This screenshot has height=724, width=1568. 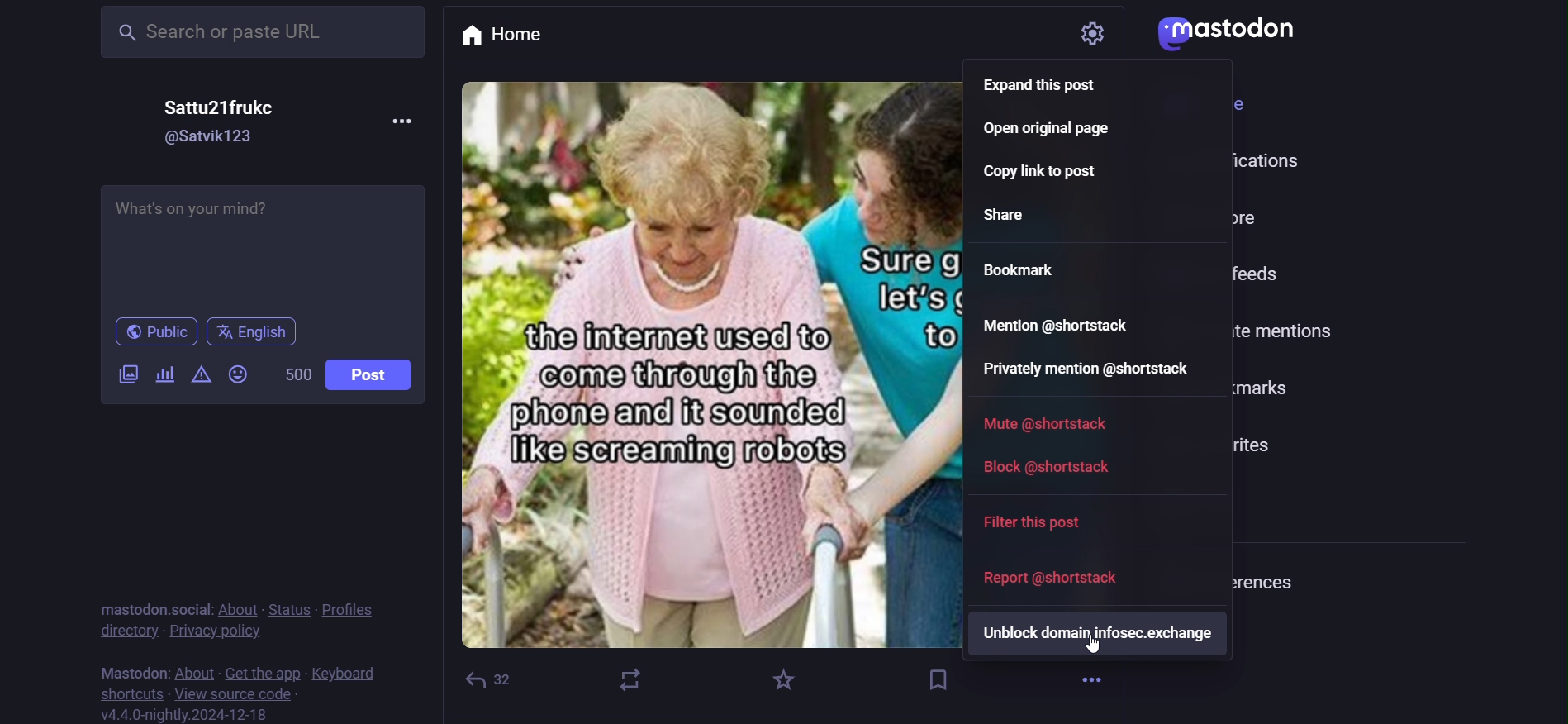 What do you see at coordinates (183, 714) in the screenshot?
I see `version` at bounding box center [183, 714].